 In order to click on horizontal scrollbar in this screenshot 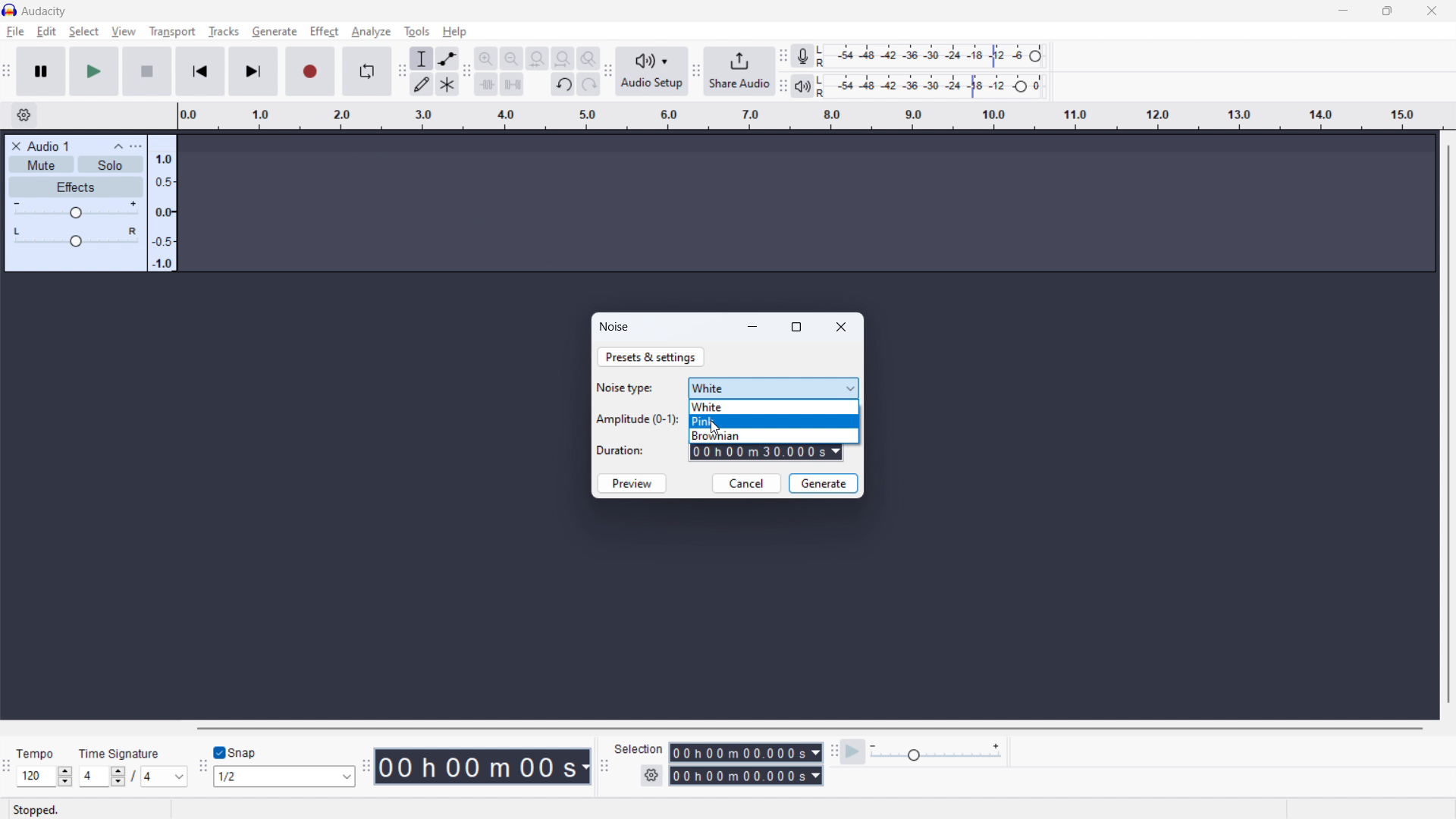, I will do `click(807, 728)`.